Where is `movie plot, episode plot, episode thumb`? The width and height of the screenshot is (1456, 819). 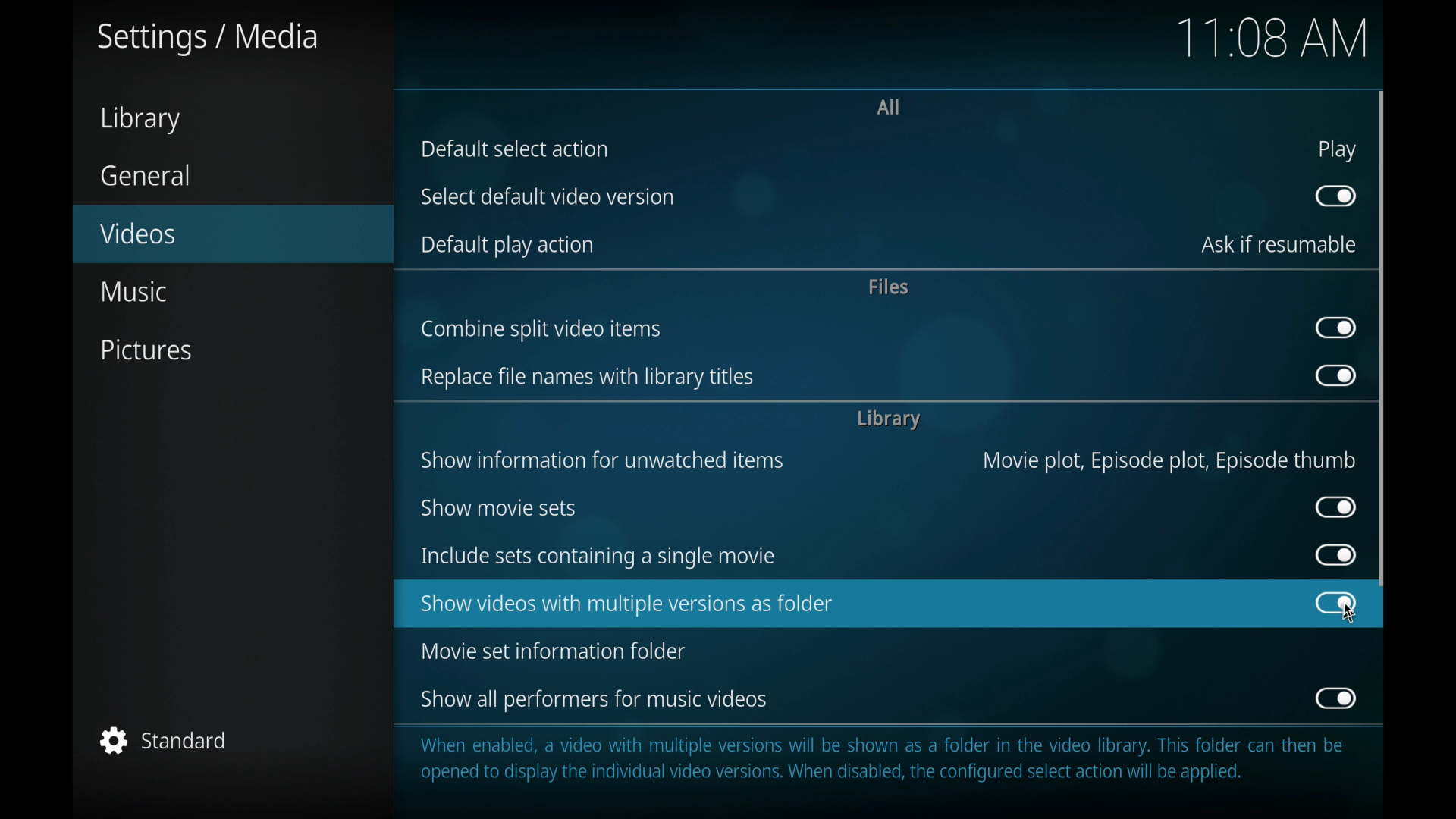 movie plot, episode plot, episode thumb is located at coordinates (1170, 460).